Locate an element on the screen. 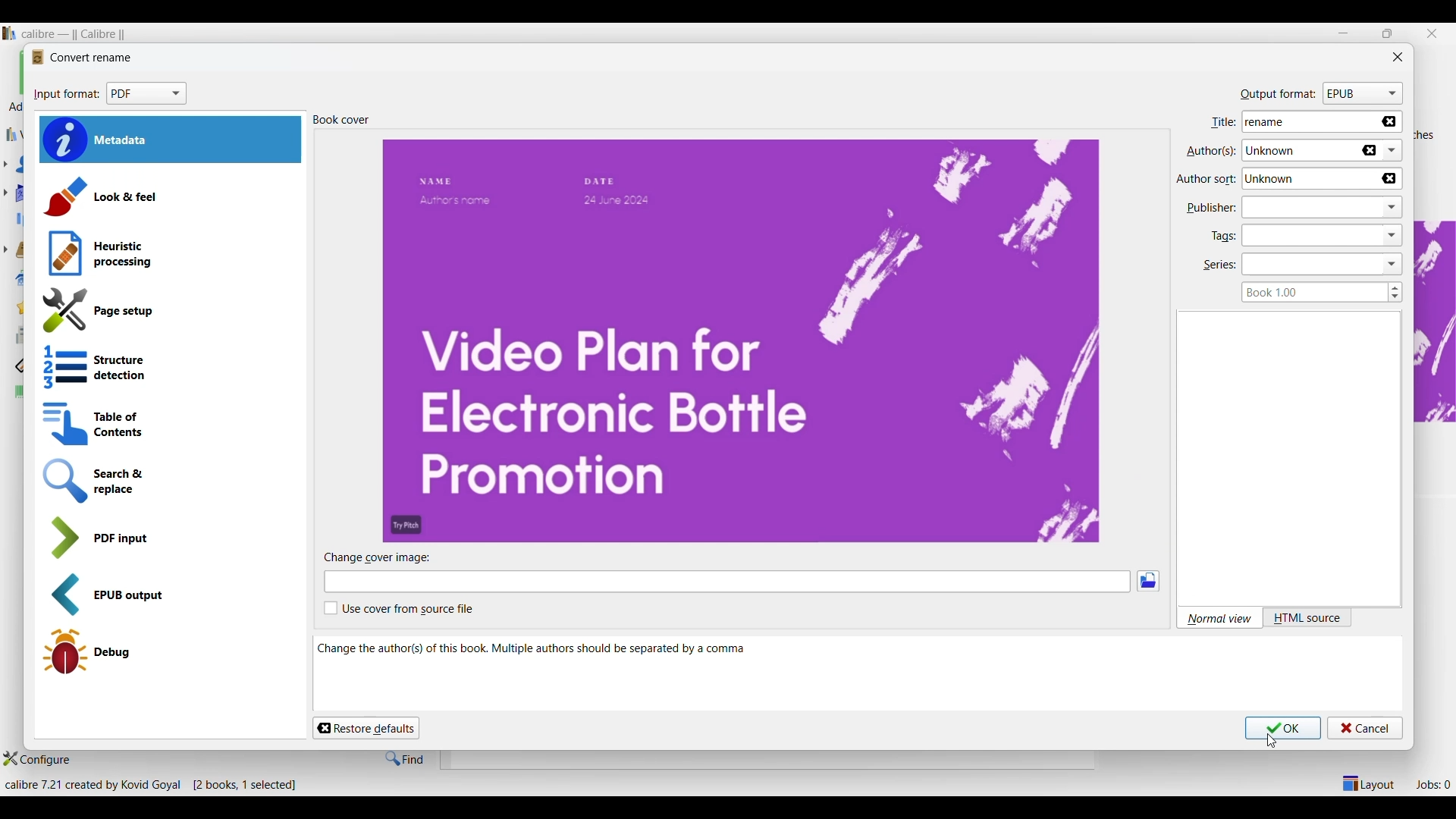 The image size is (1456, 819). convert rename is located at coordinates (90, 58).